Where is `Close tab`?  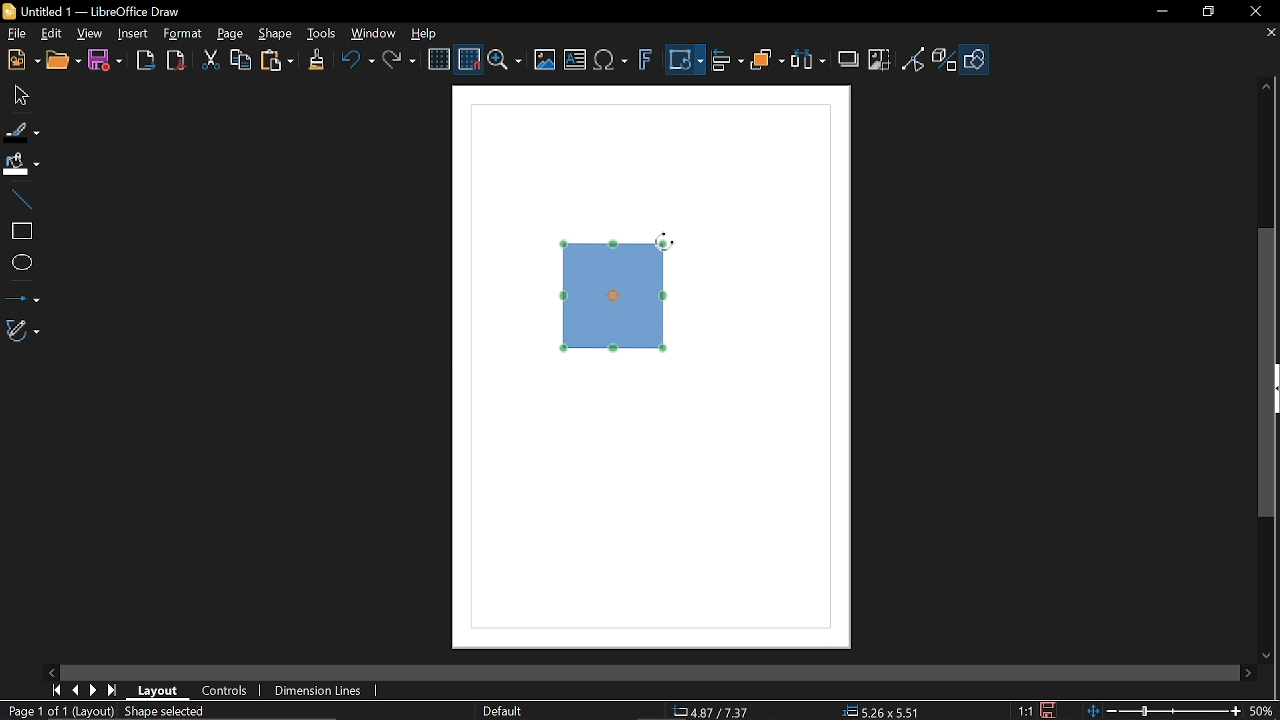 Close tab is located at coordinates (1272, 33).